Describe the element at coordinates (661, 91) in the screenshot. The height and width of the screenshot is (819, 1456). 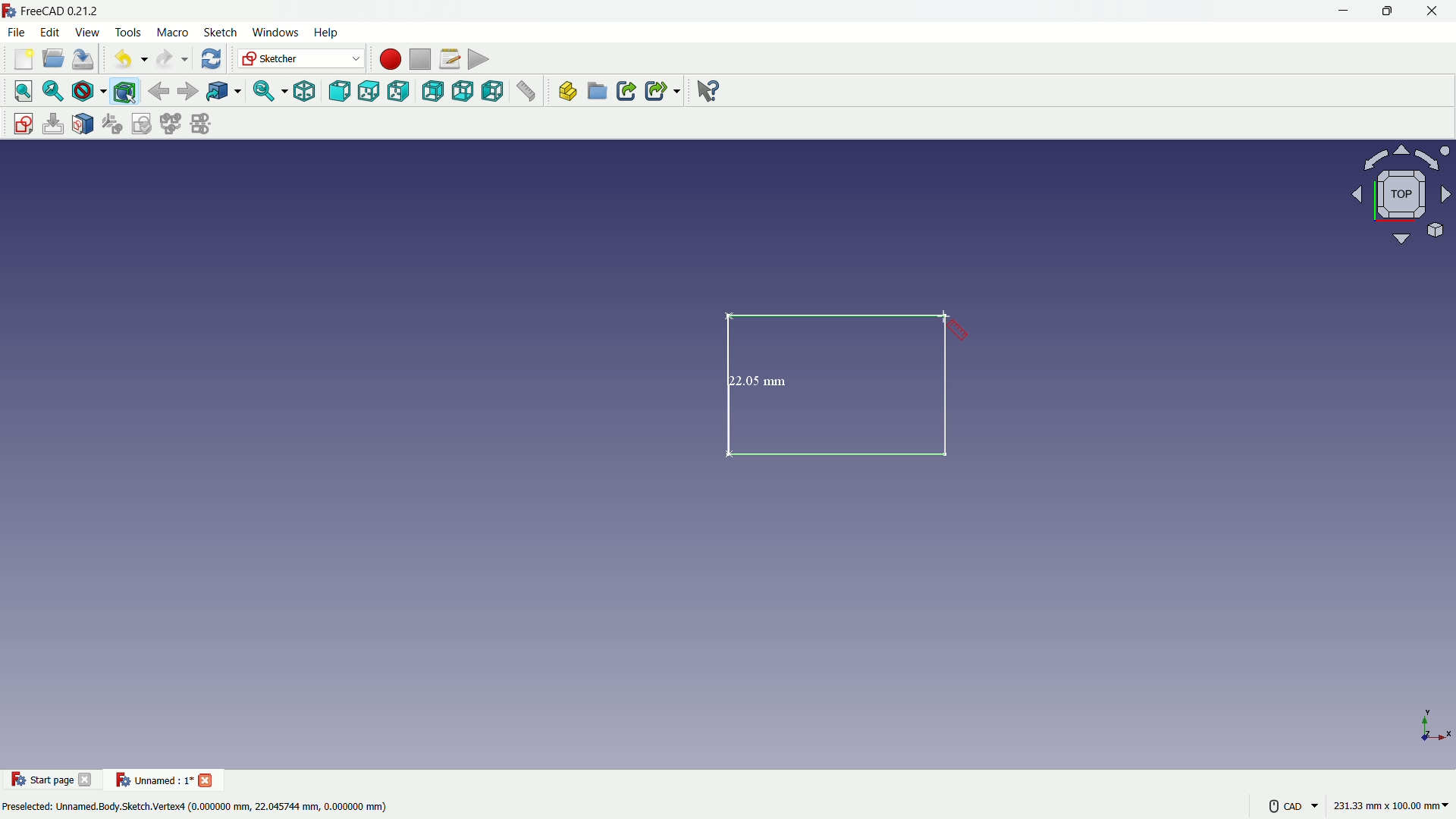
I see `make sub link` at that location.